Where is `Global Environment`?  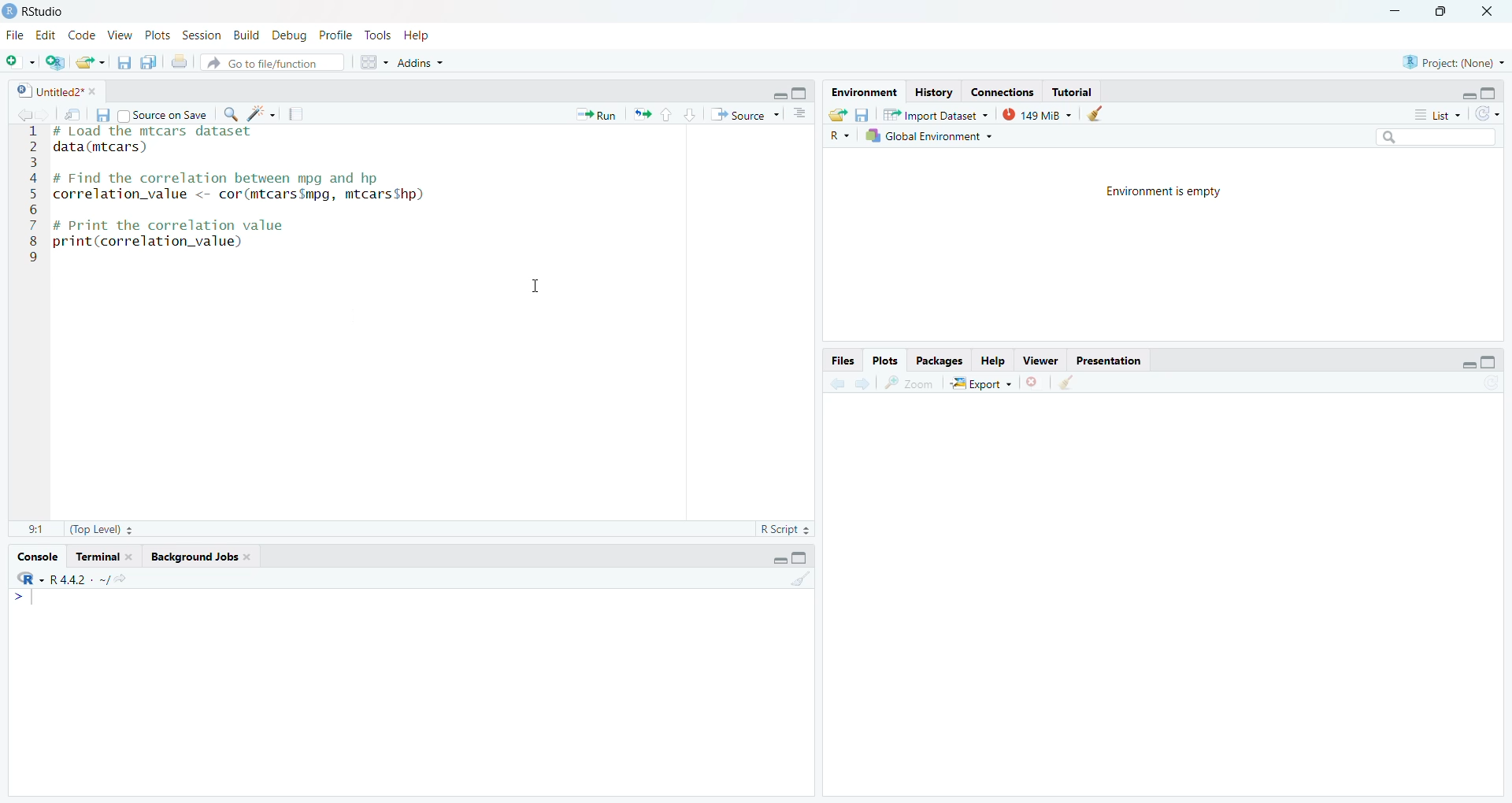
Global Environment is located at coordinates (928, 139).